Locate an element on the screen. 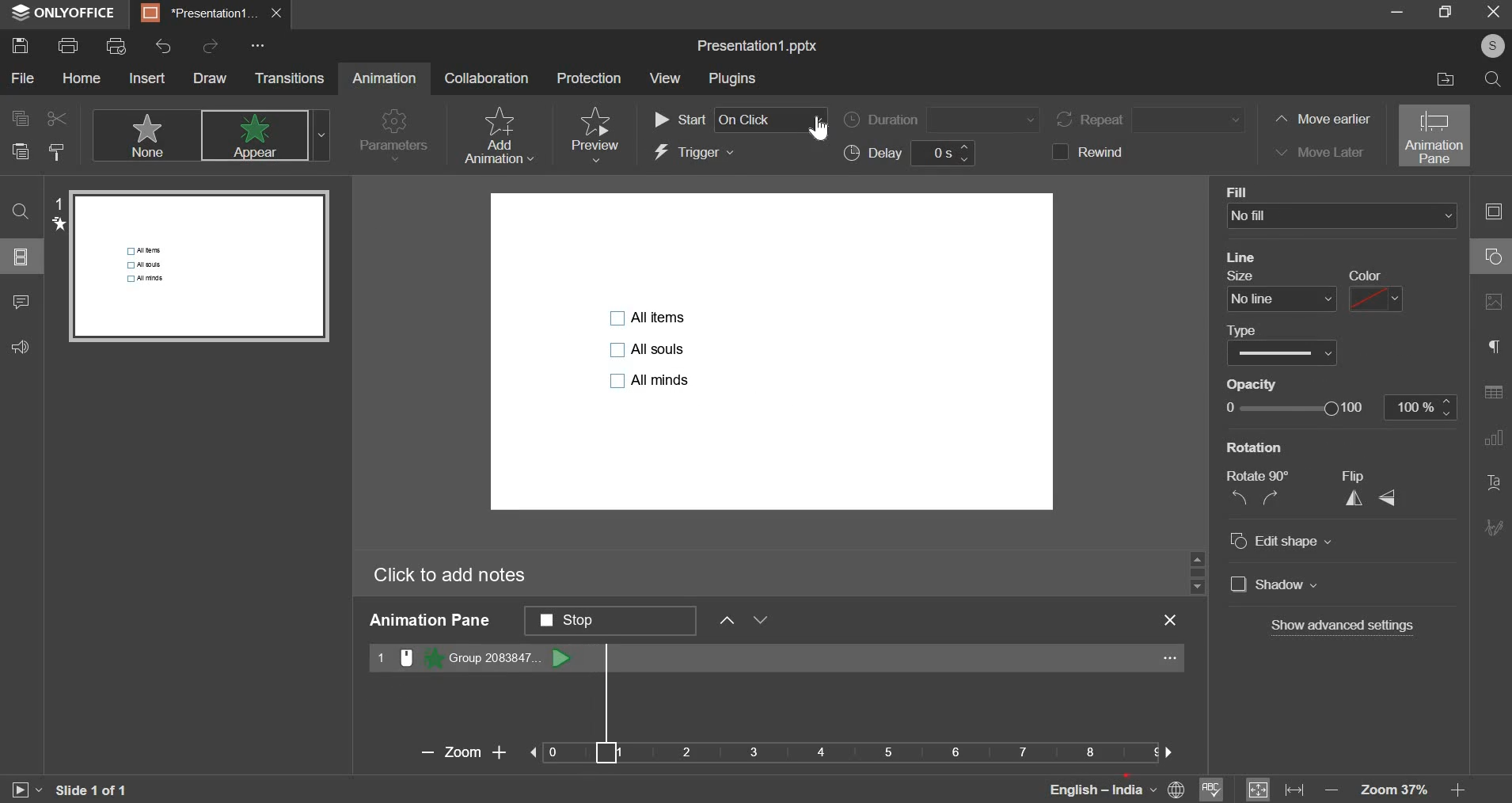 This screenshot has height=803, width=1512. file is located at coordinates (24, 78).